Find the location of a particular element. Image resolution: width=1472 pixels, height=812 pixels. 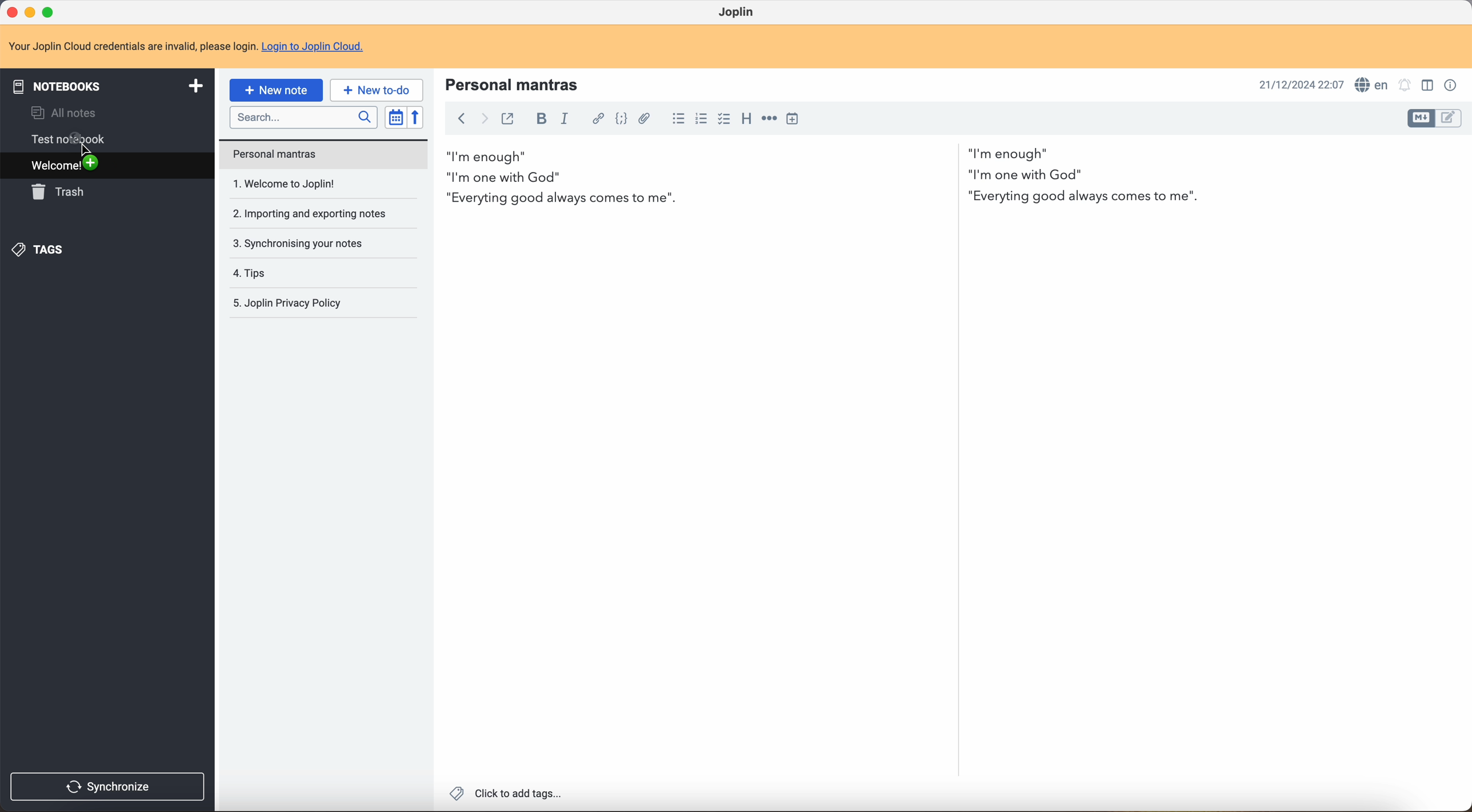

welcome is located at coordinates (105, 166).